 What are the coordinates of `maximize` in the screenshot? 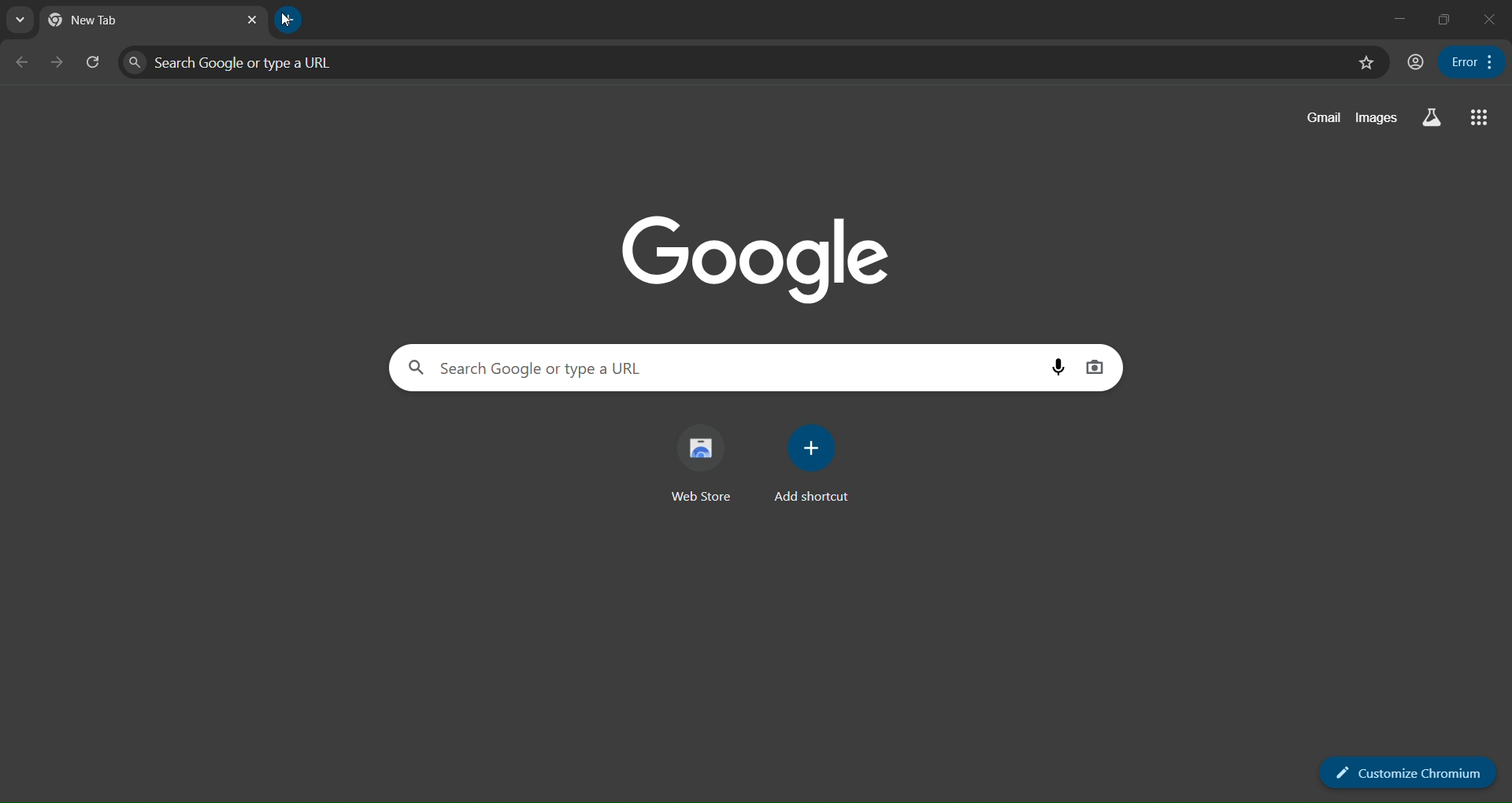 It's located at (1441, 17).